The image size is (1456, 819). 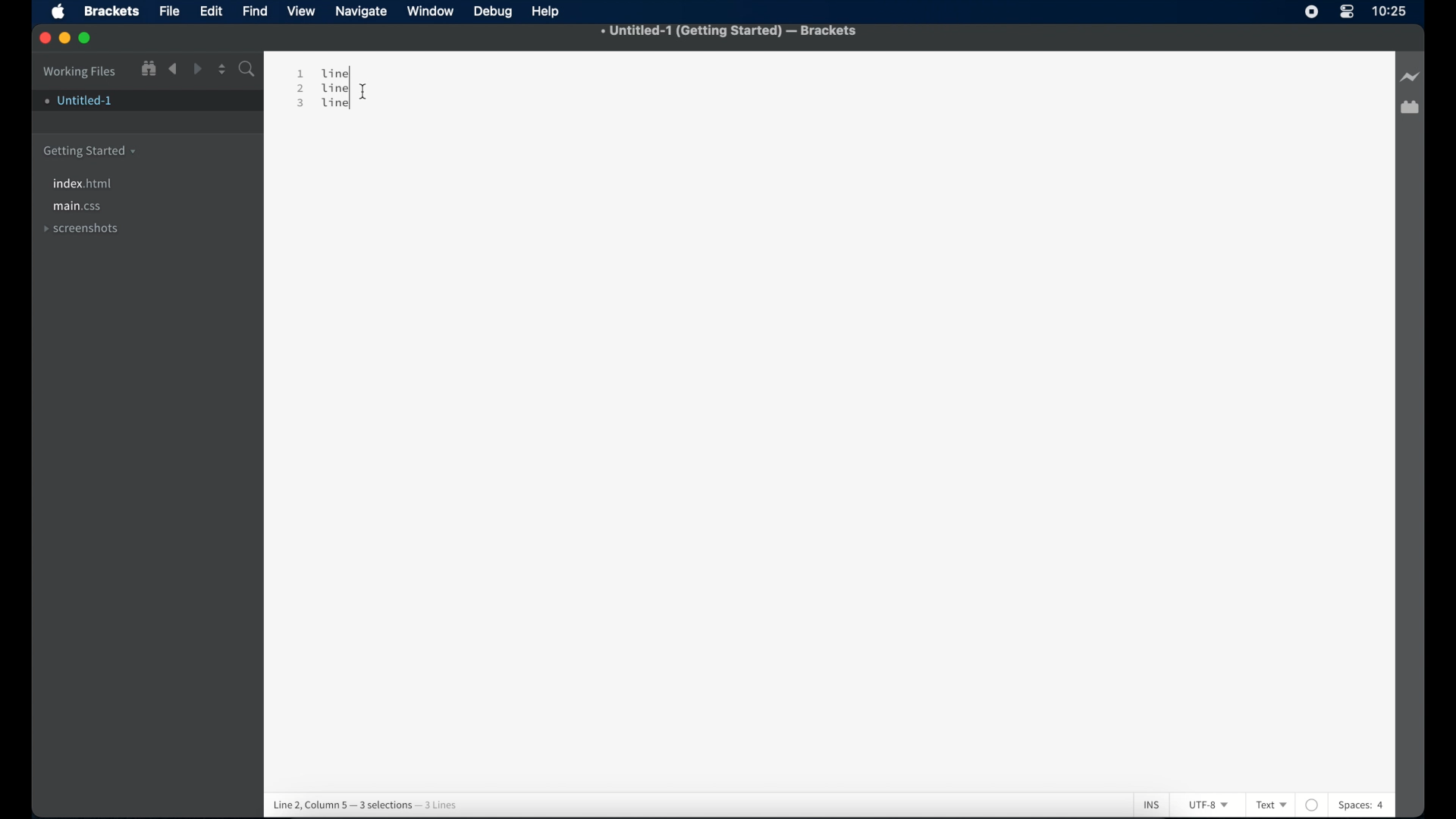 What do you see at coordinates (248, 70) in the screenshot?
I see `find in files` at bounding box center [248, 70].